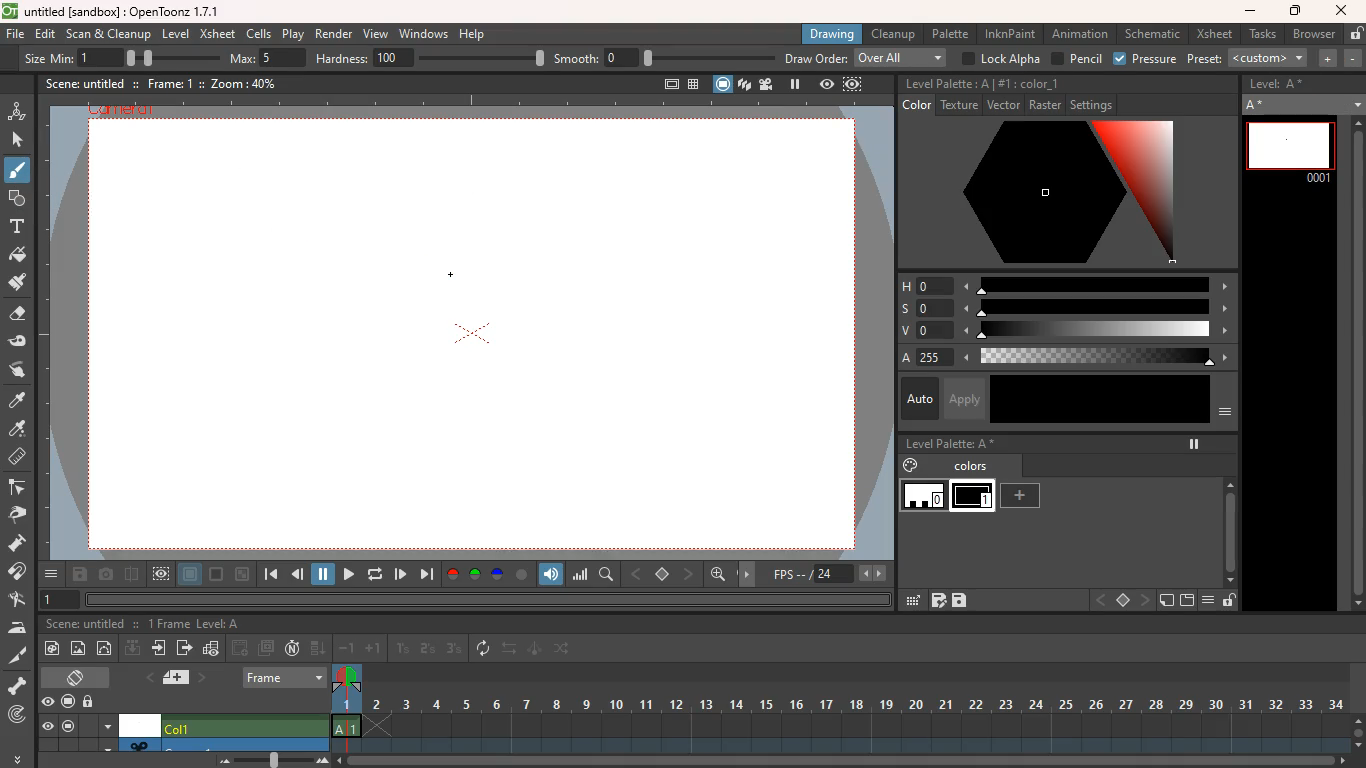 This screenshot has width=1366, height=768. What do you see at coordinates (1100, 308) in the screenshot?
I see `scale` at bounding box center [1100, 308].